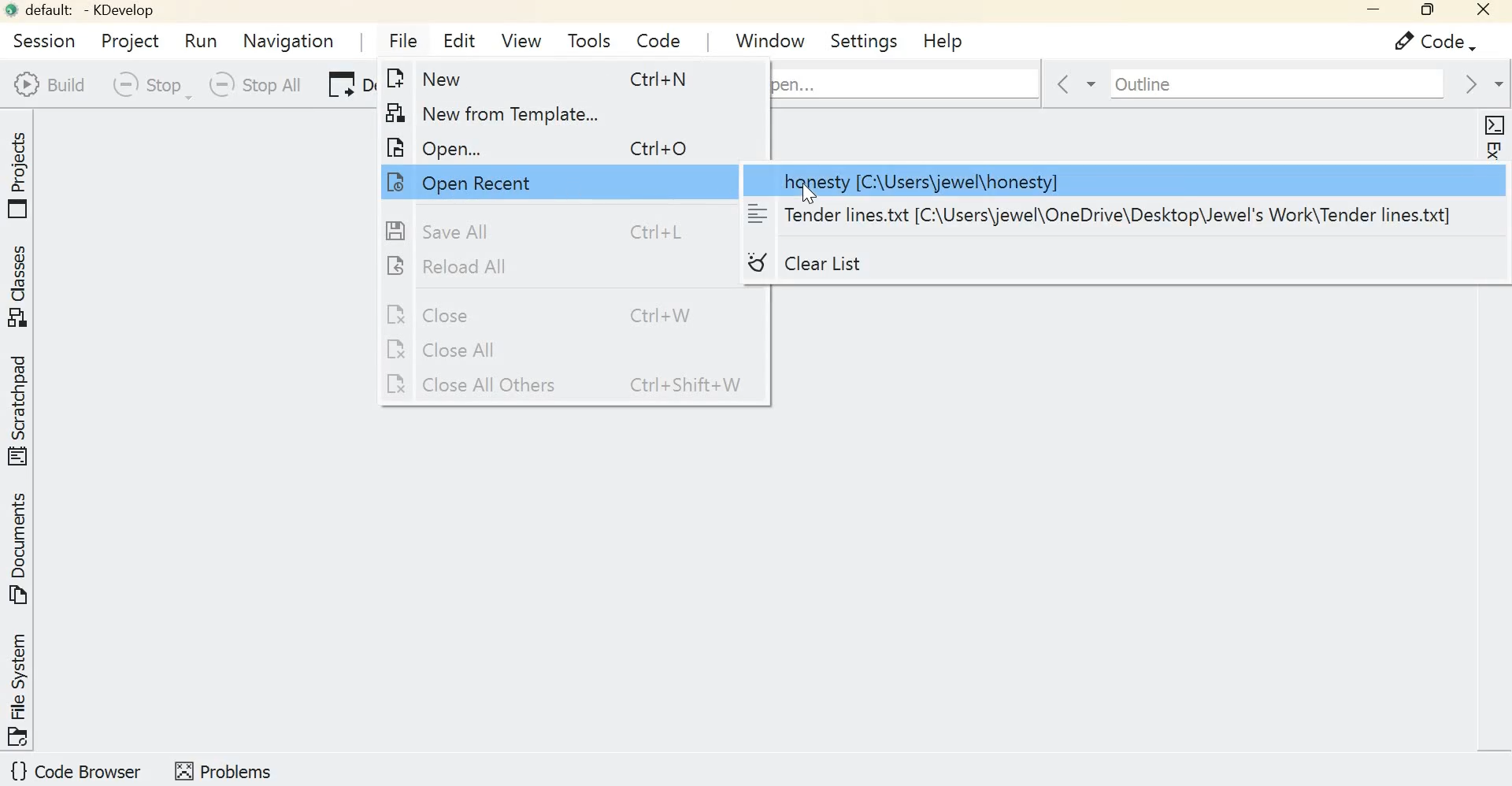  What do you see at coordinates (21, 171) in the screenshot?
I see `Toggle 'Projects' tool view` at bounding box center [21, 171].